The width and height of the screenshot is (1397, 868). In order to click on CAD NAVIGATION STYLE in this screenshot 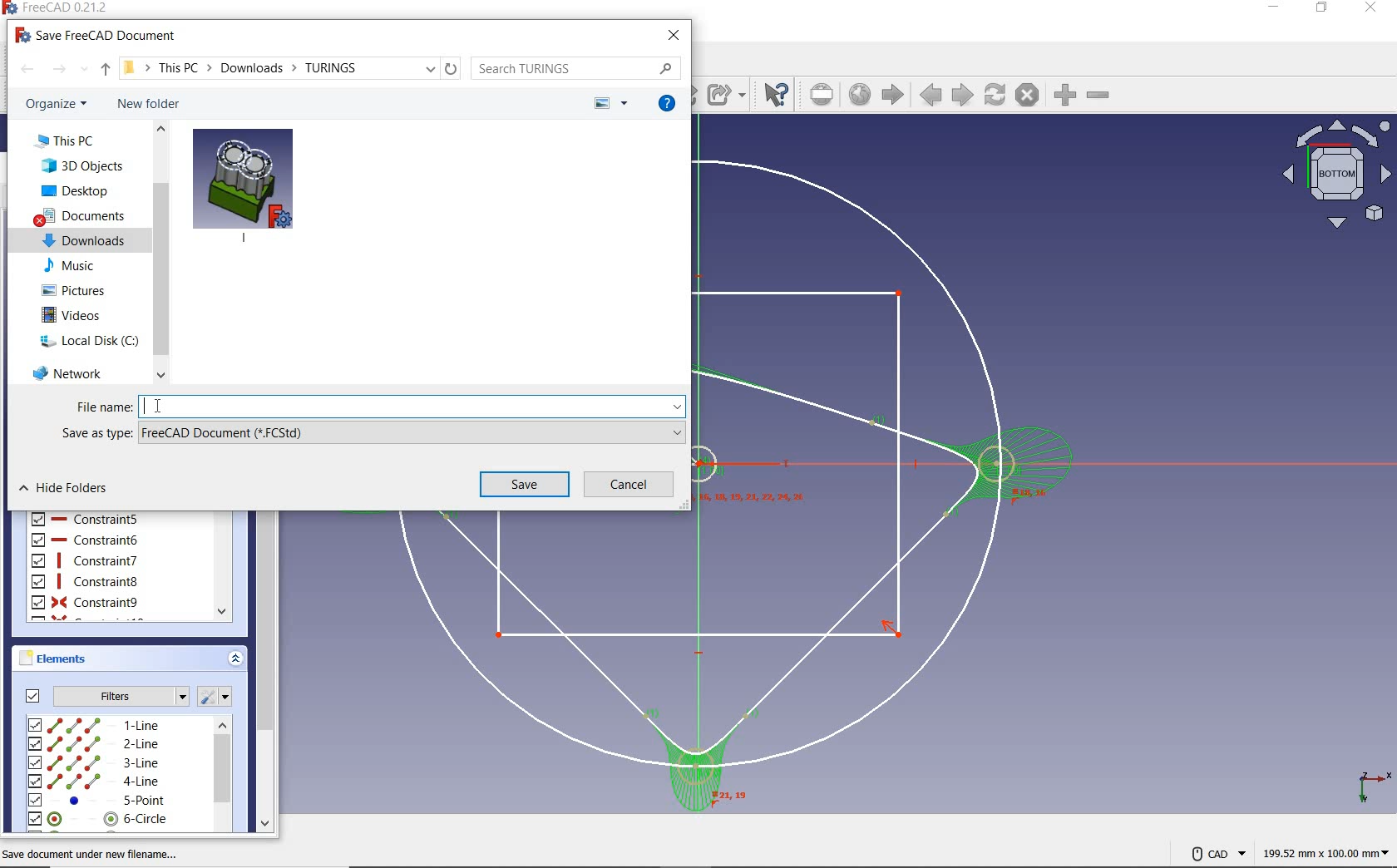, I will do `click(1209, 852)`.